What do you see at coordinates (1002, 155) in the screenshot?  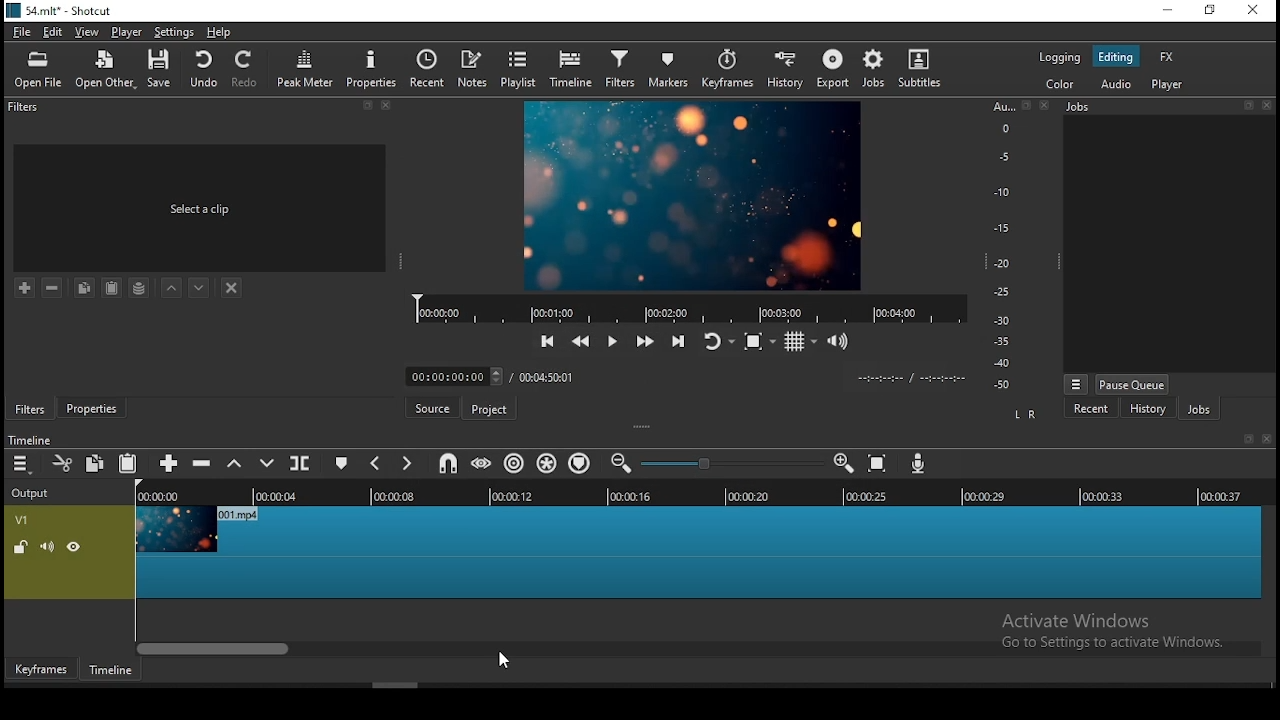 I see `-5` at bounding box center [1002, 155].